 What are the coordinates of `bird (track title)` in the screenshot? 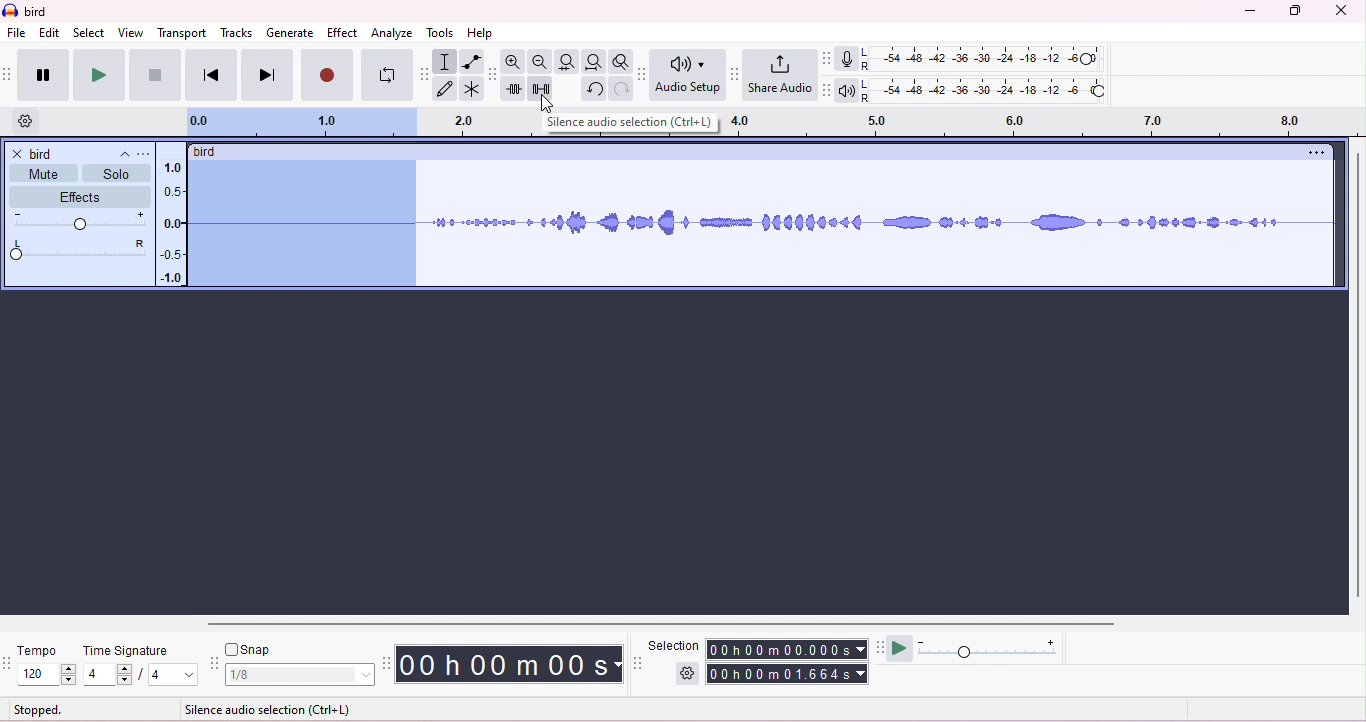 It's located at (208, 150).